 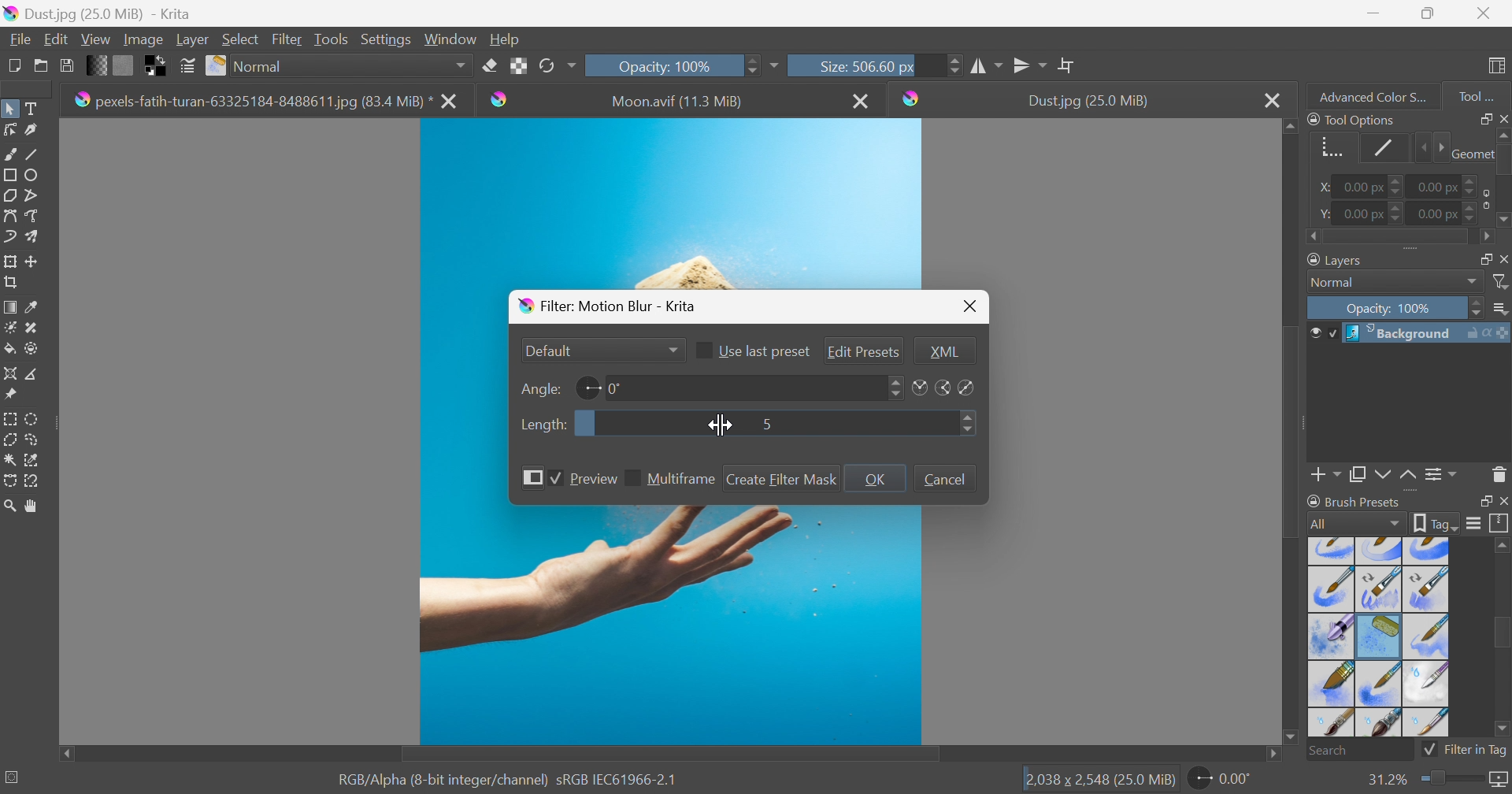 What do you see at coordinates (55, 39) in the screenshot?
I see `Edit` at bounding box center [55, 39].